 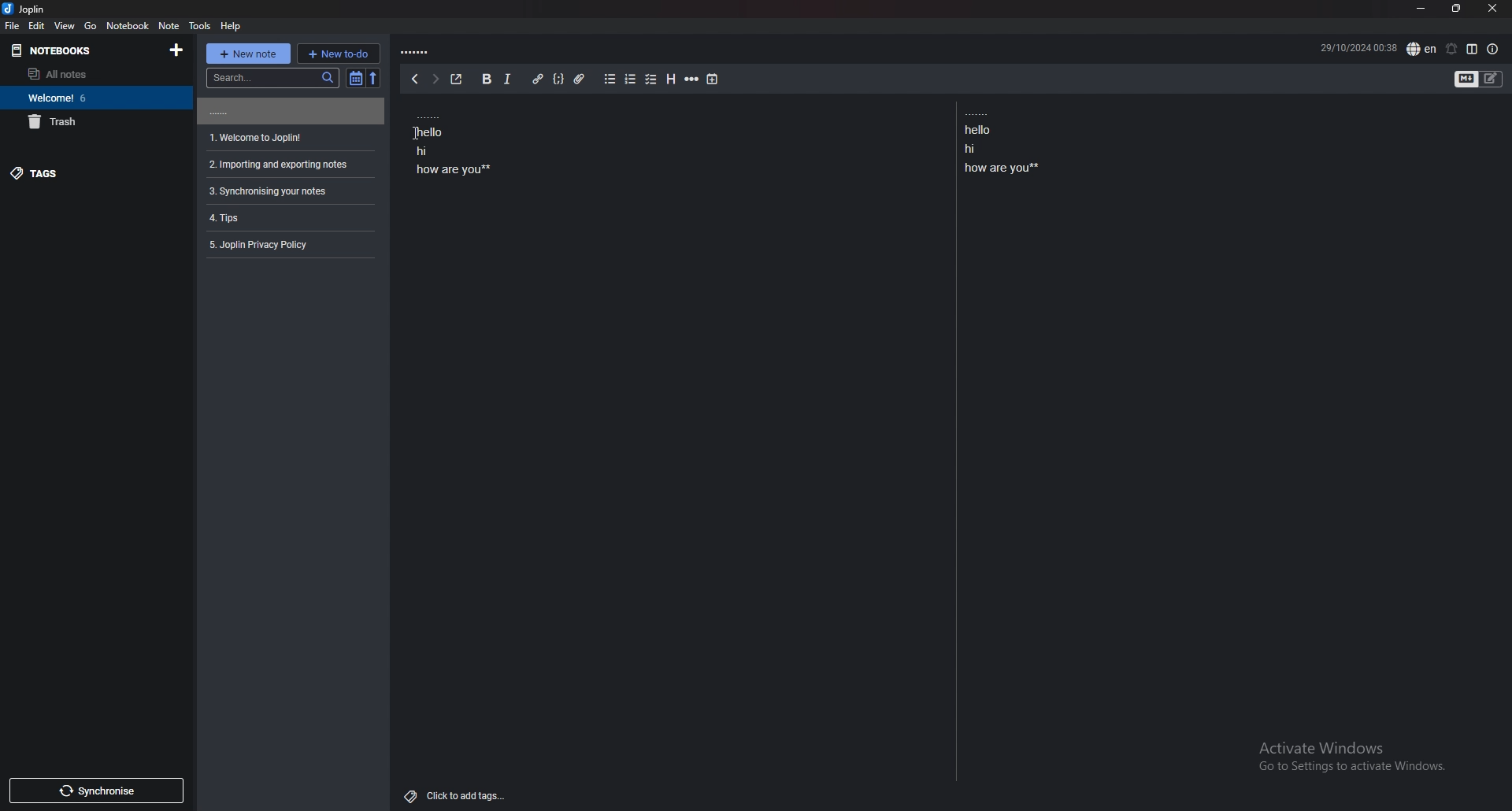 What do you see at coordinates (486, 79) in the screenshot?
I see `bold` at bounding box center [486, 79].